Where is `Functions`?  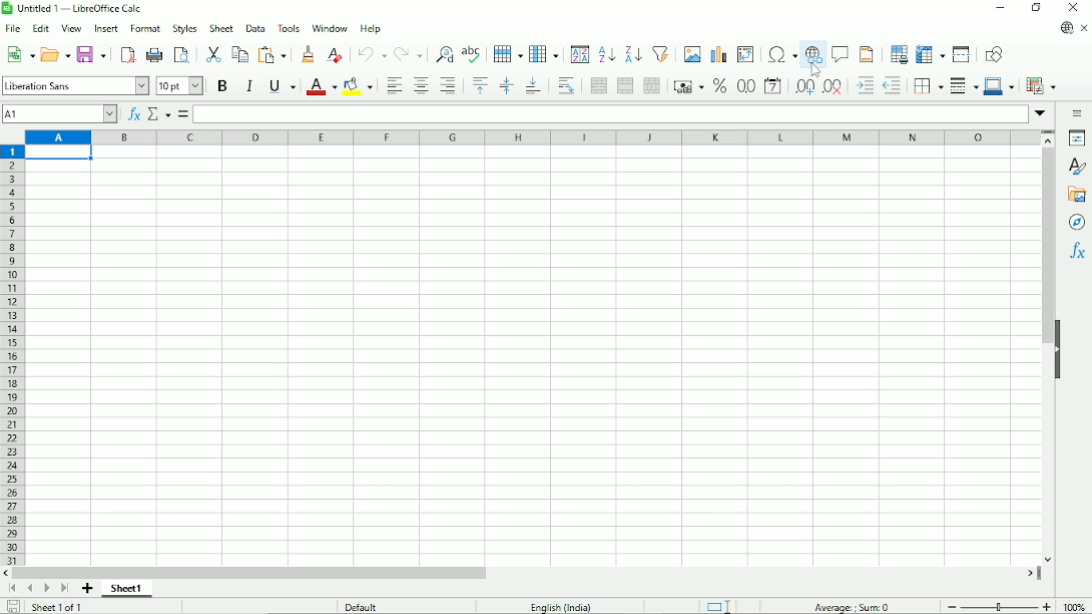
Functions is located at coordinates (1077, 254).